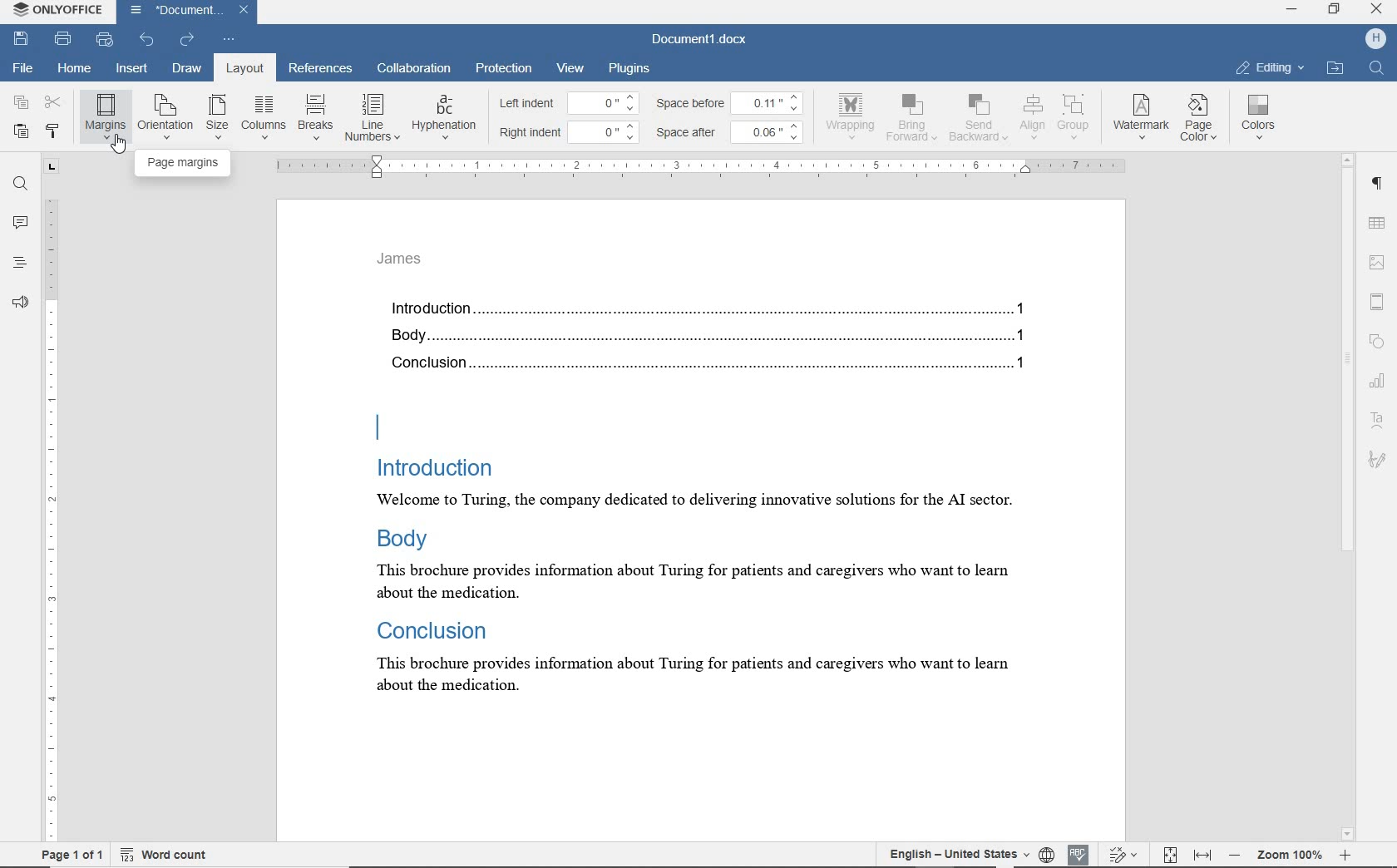 This screenshot has width=1397, height=868. What do you see at coordinates (230, 40) in the screenshot?
I see `customize quick access ` at bounding box center [230, 40].